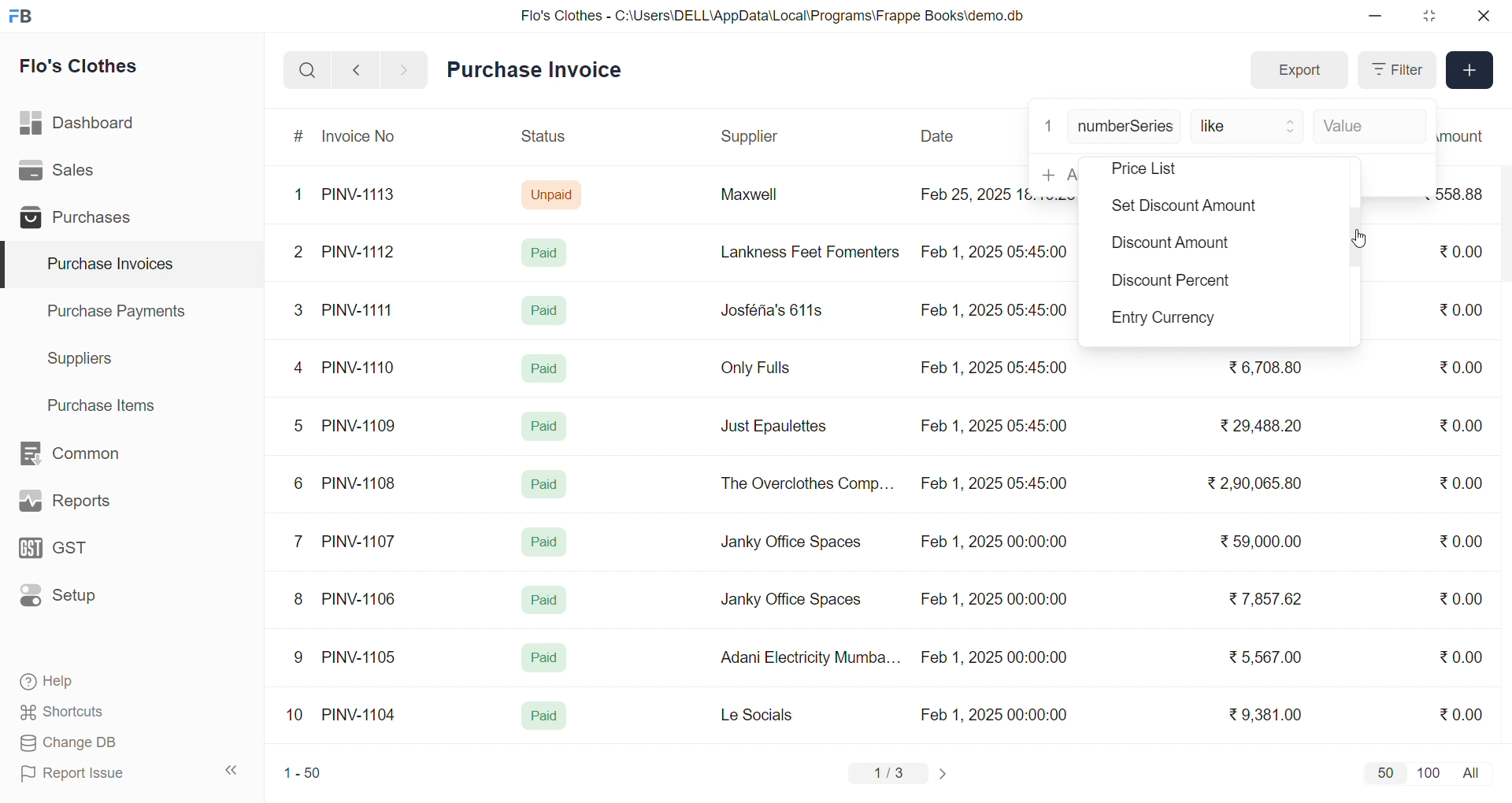 Image resolution: width=1512 pixels, height=803 pixels. I want to click on Report Issue, so click(98, 773).